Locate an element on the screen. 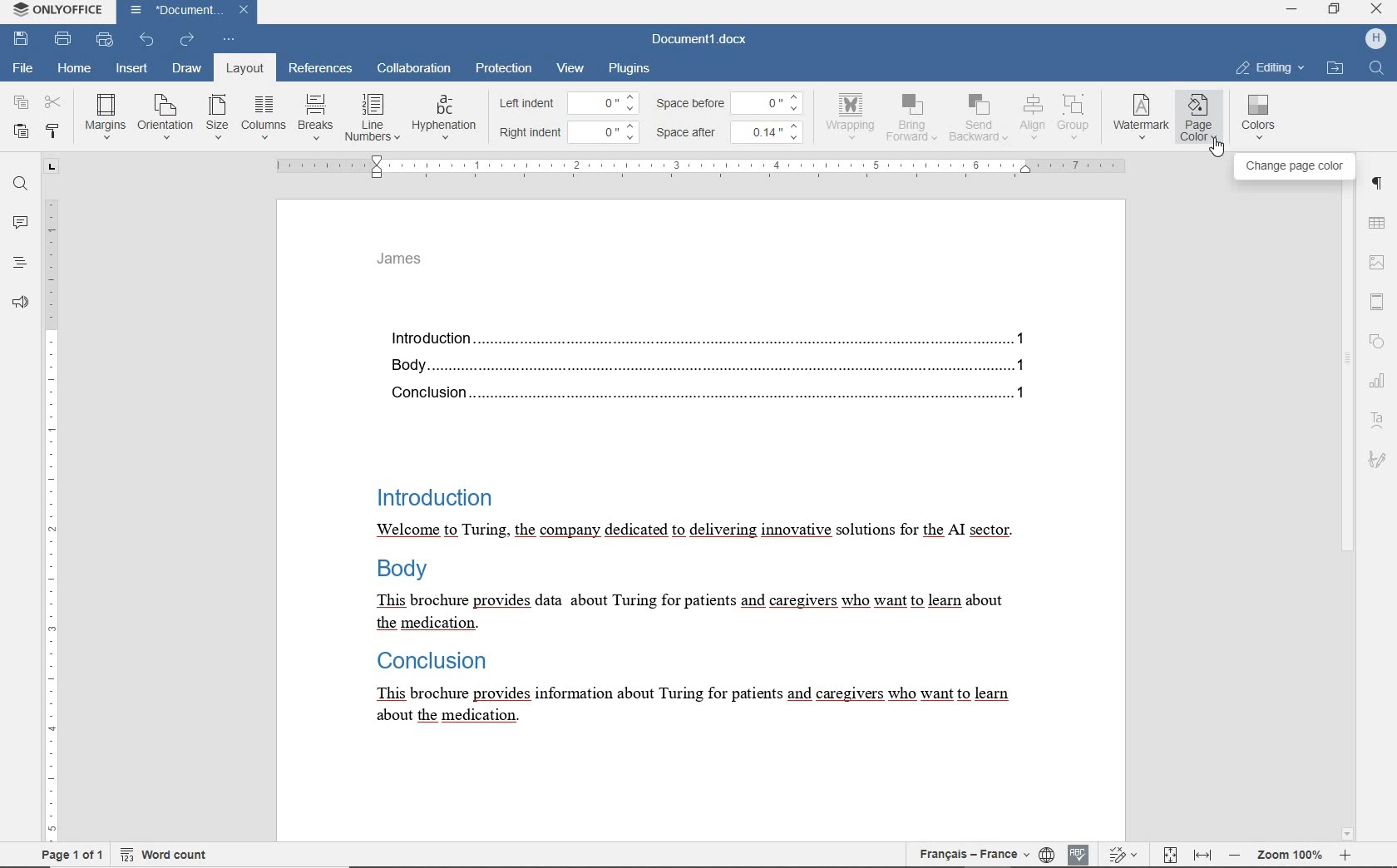  0 is located at coordinates (602, 103).